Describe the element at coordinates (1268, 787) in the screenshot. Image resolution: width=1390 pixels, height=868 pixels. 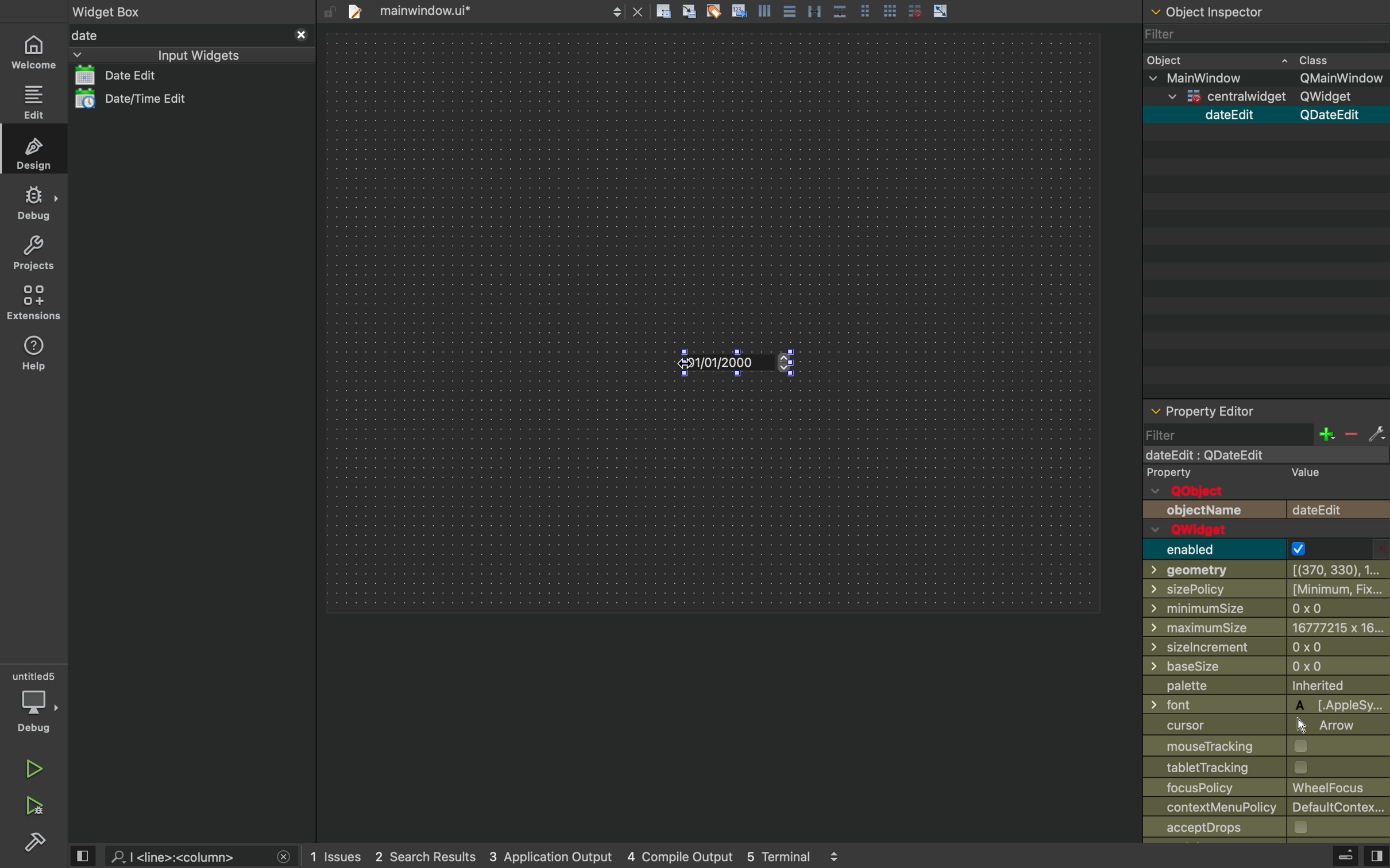
I see `policy` at that location.